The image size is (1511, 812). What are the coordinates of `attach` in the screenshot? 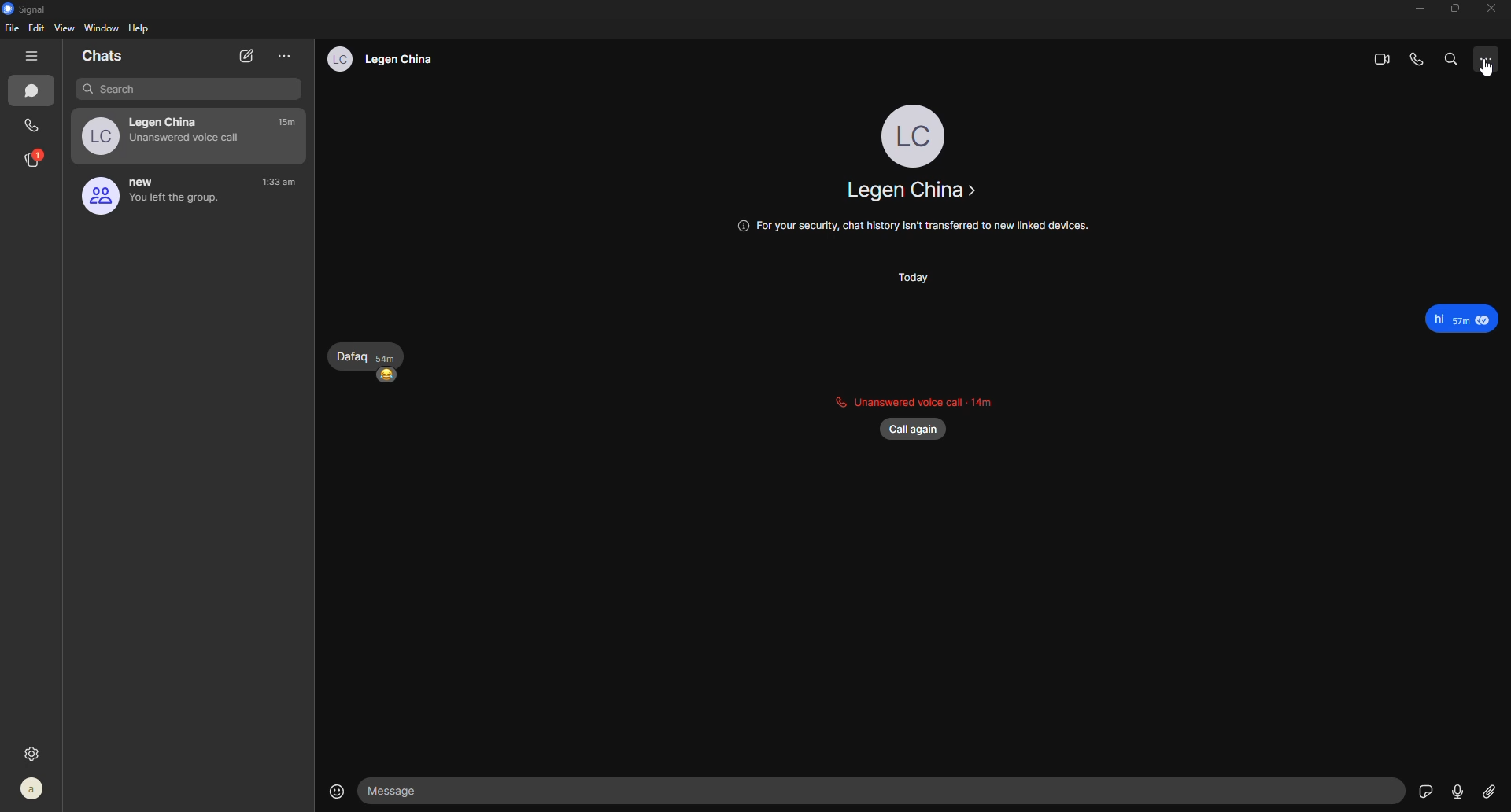 It's located at (1491, 793).